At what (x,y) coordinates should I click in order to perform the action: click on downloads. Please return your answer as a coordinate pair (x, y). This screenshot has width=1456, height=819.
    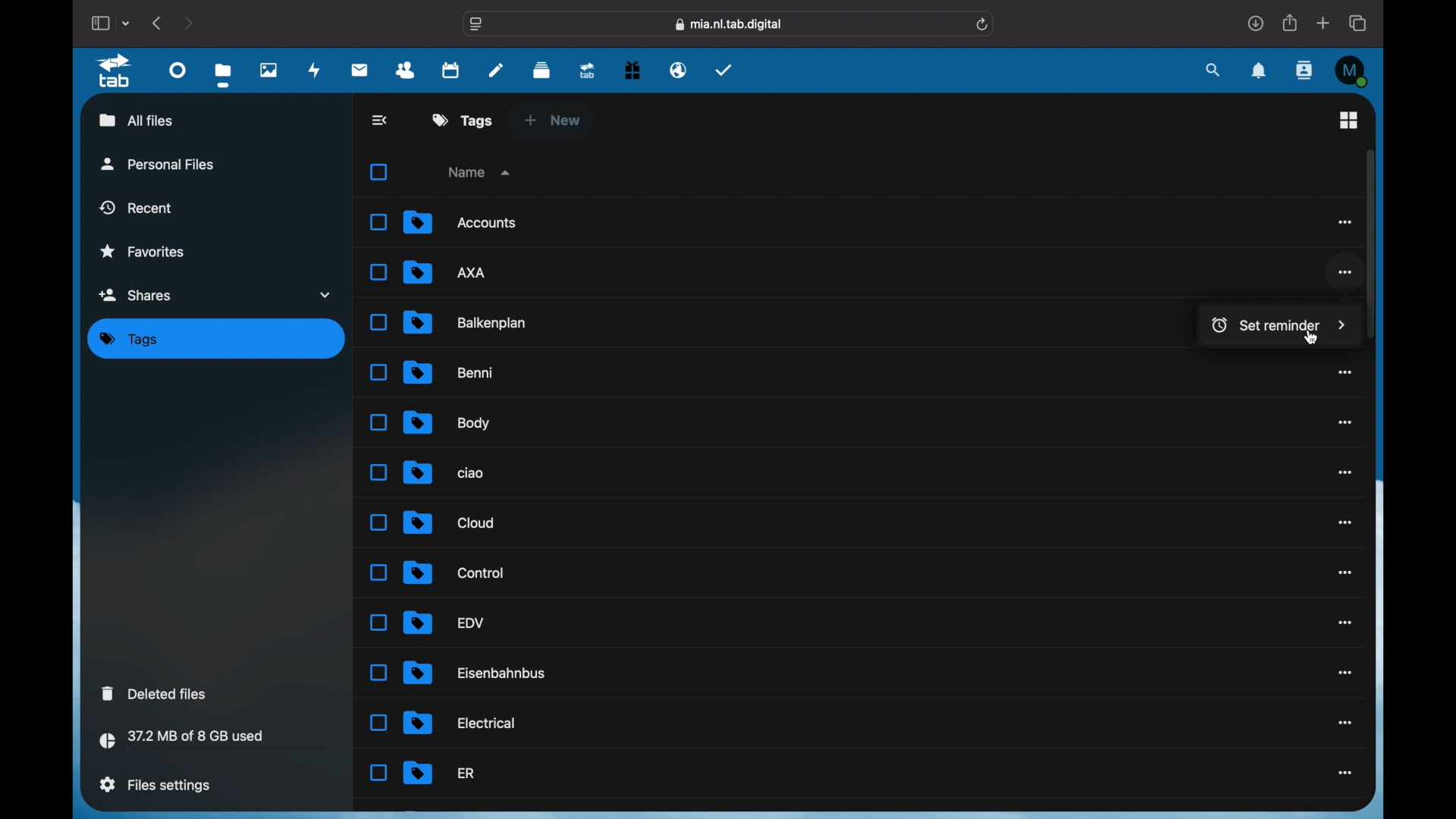
    Looking at the image, I should click on (1256, 23).